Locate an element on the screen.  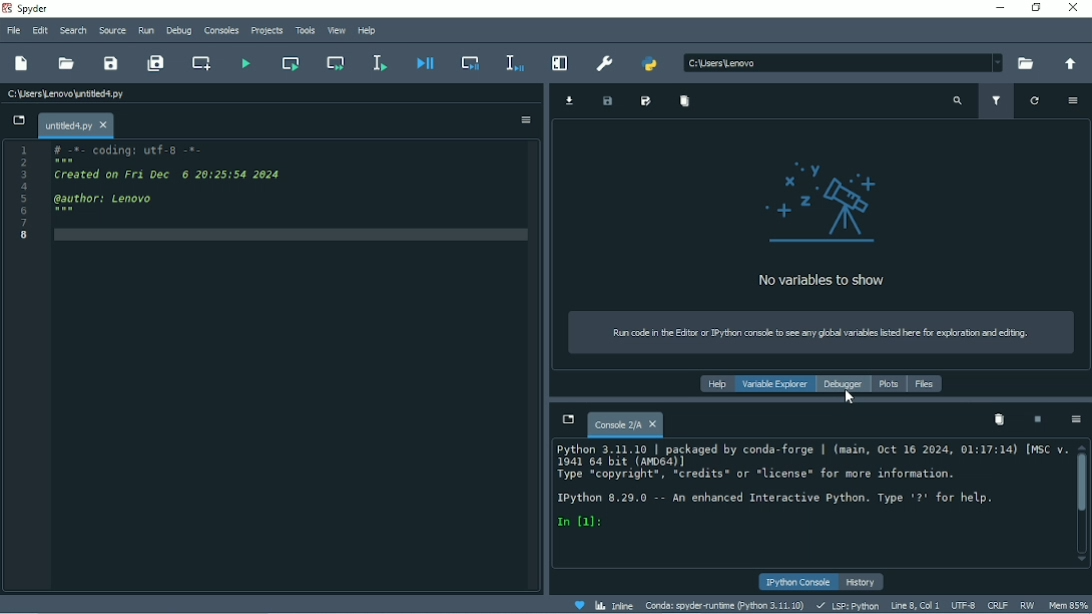
Save file is located at coordinates (112, 63).